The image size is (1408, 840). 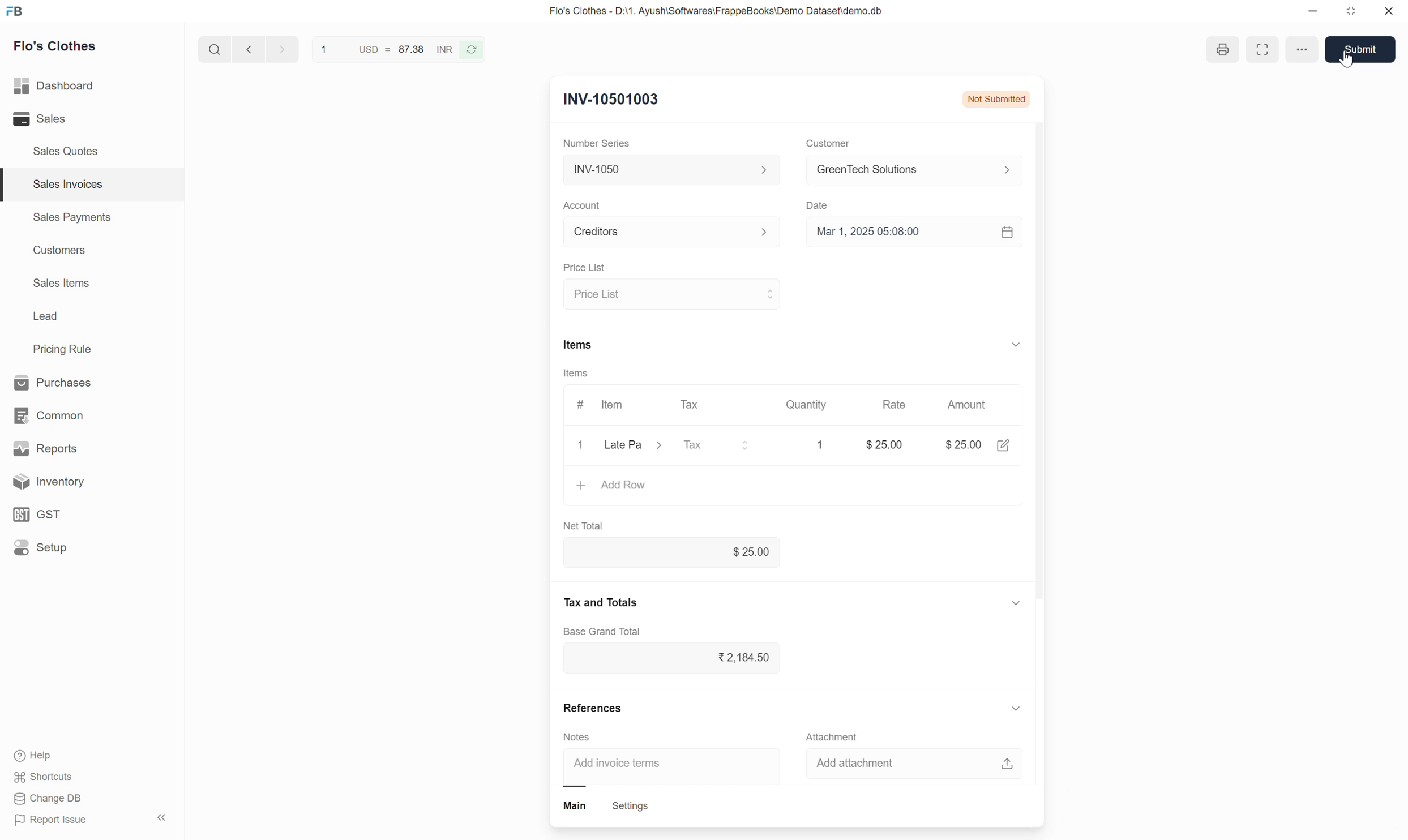 What do you see at coordinates (58, 252) in the screenshot?
I see `Customers` at bounding box center [58, 252].